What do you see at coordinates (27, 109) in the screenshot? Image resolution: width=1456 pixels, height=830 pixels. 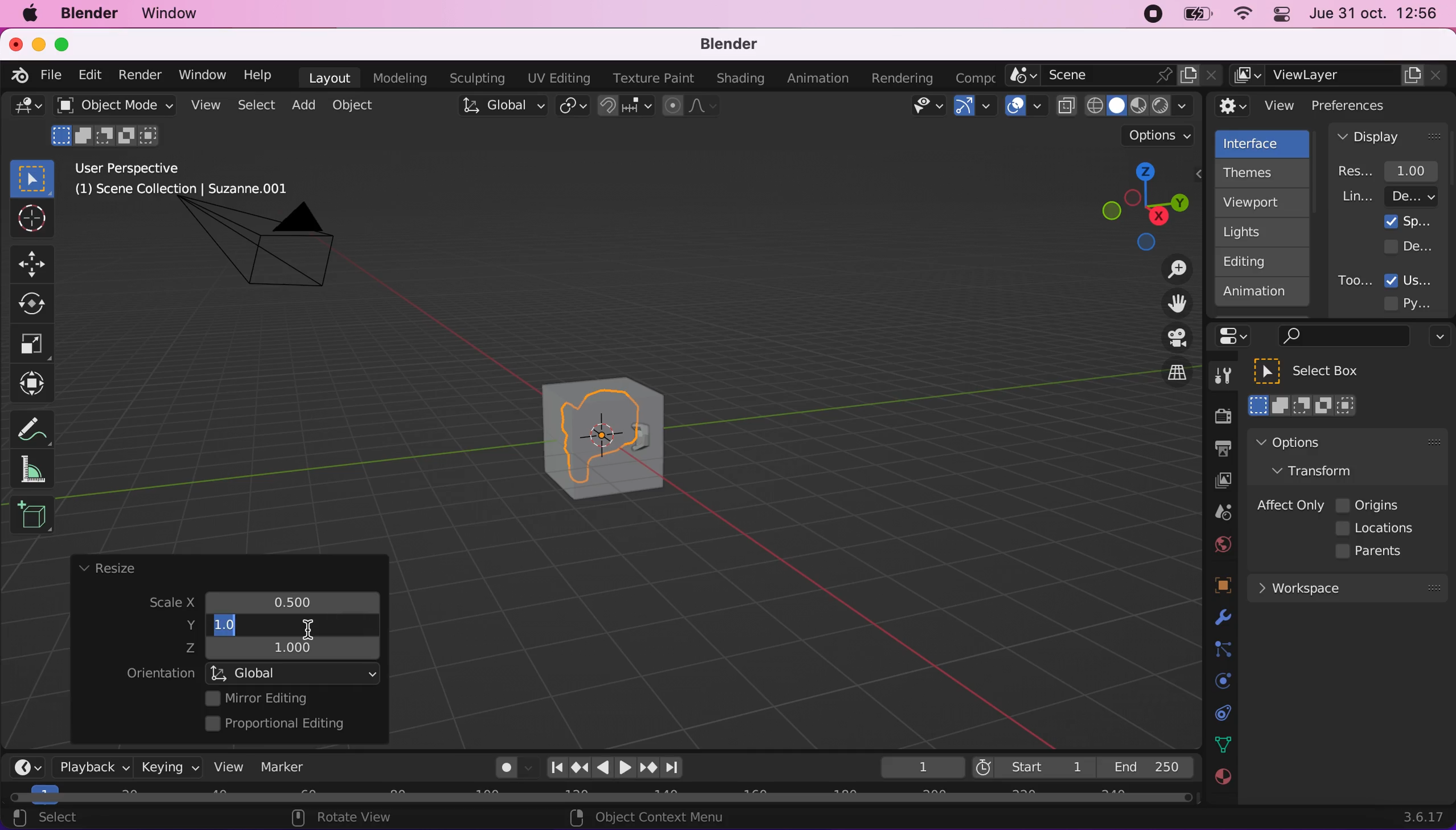 I see `general` at bounding box center [27, 109].